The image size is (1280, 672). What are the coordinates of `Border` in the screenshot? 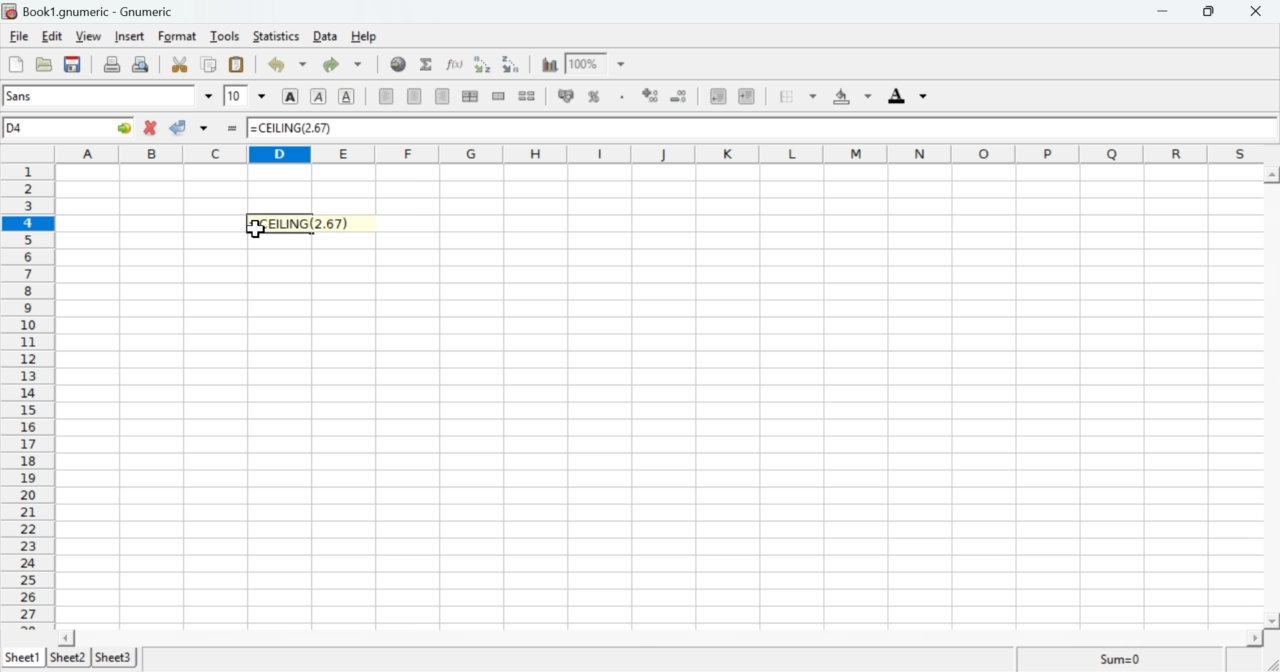 It's located at (799, 97).